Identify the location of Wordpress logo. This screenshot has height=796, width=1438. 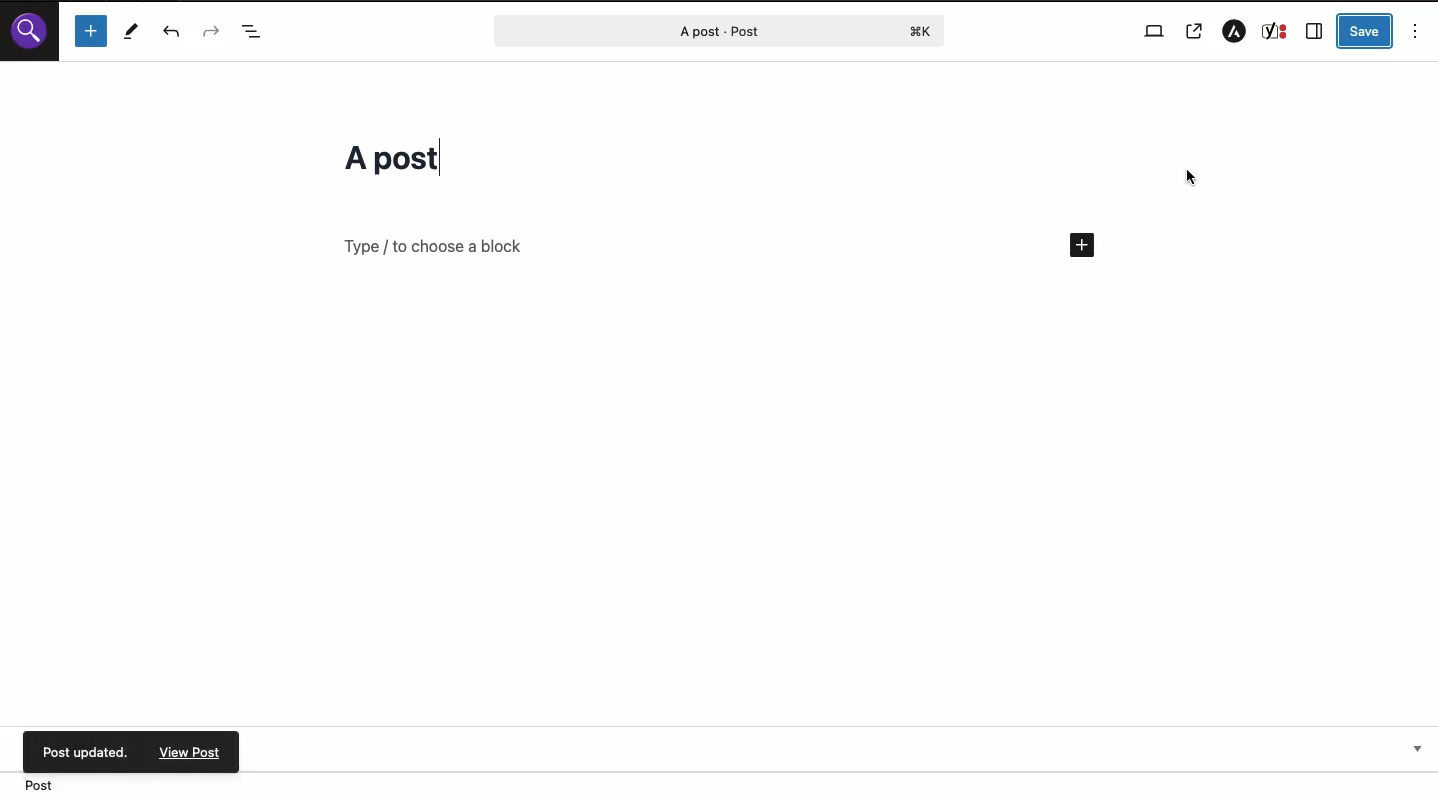
(30, 26).